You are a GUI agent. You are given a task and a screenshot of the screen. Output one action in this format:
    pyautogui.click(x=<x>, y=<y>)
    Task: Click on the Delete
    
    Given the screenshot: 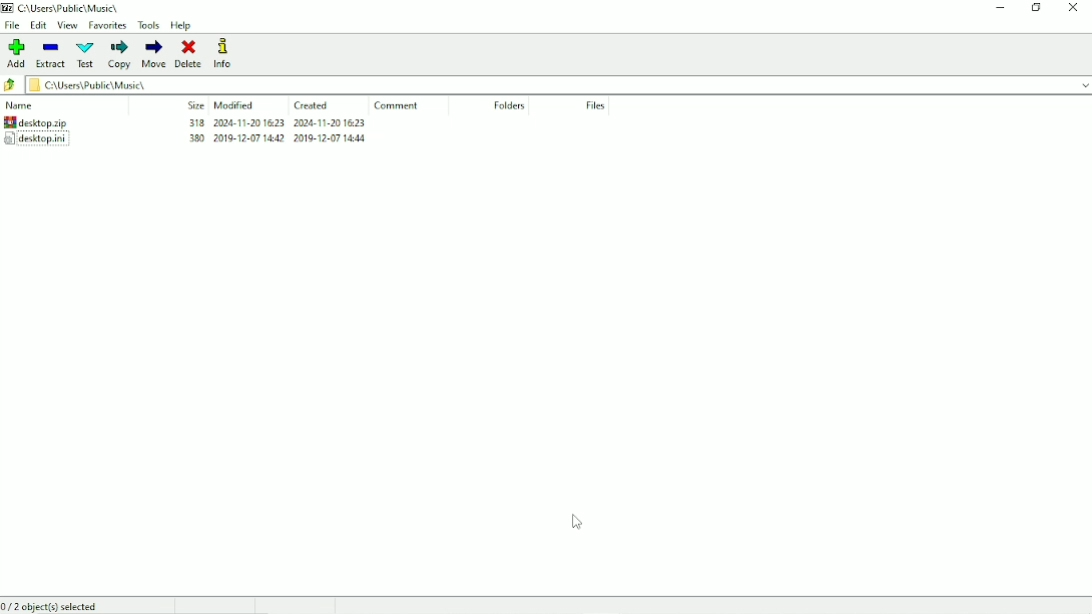 What is the action you would take?
    pyautogui.click(x=189, y=54)
    